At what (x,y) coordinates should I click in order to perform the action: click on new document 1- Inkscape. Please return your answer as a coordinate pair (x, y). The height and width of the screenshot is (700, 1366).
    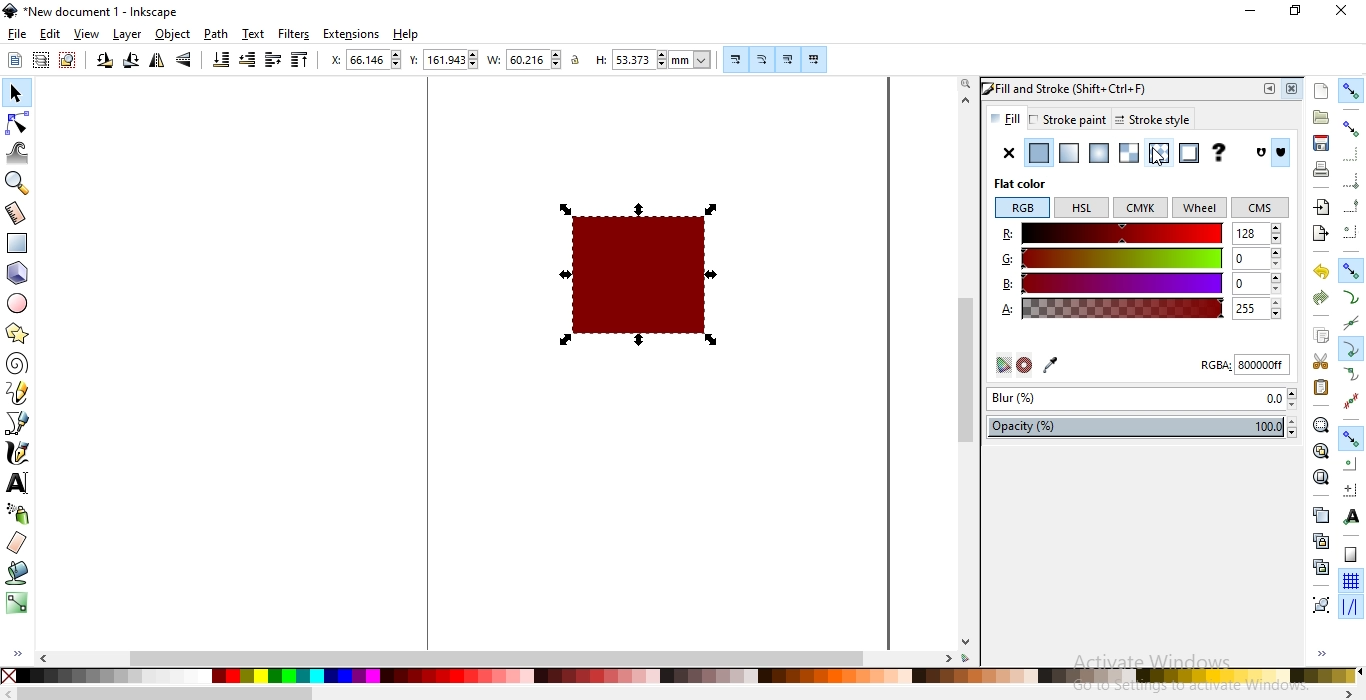
    Looking at the image, I should click on (98, 12).